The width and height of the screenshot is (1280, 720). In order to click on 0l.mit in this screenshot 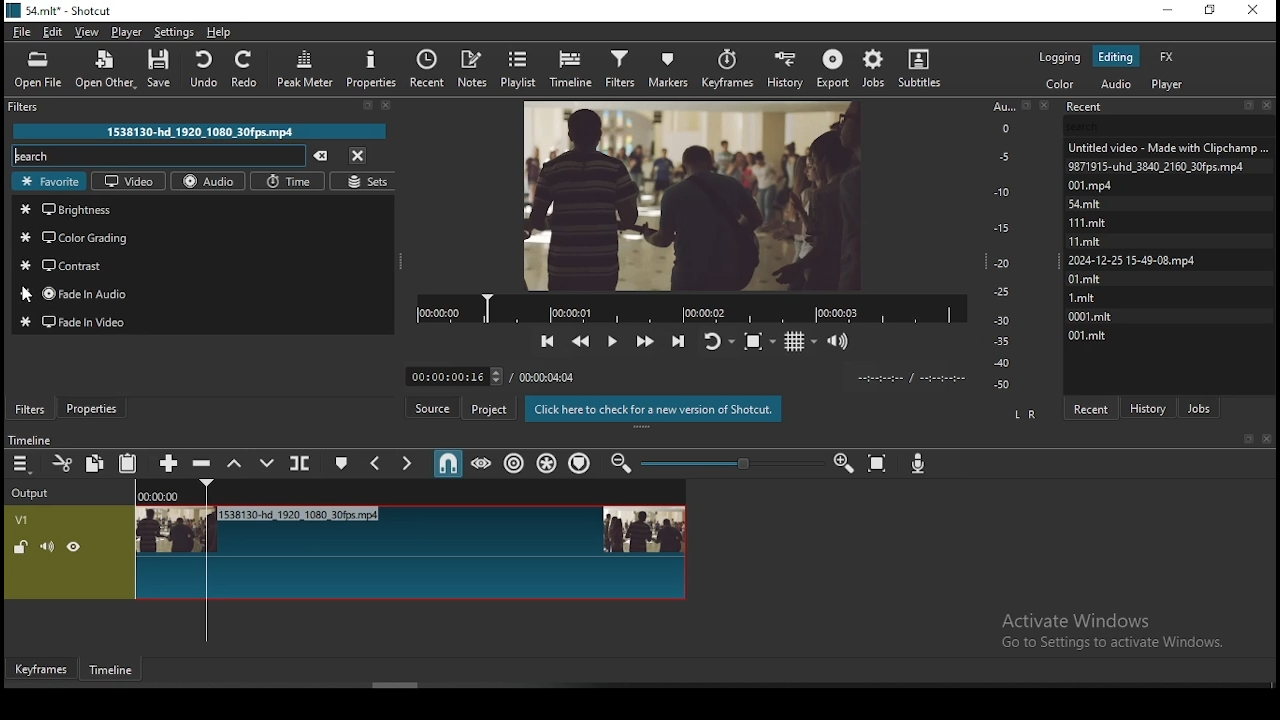, I will do `click(1087, 278)`.